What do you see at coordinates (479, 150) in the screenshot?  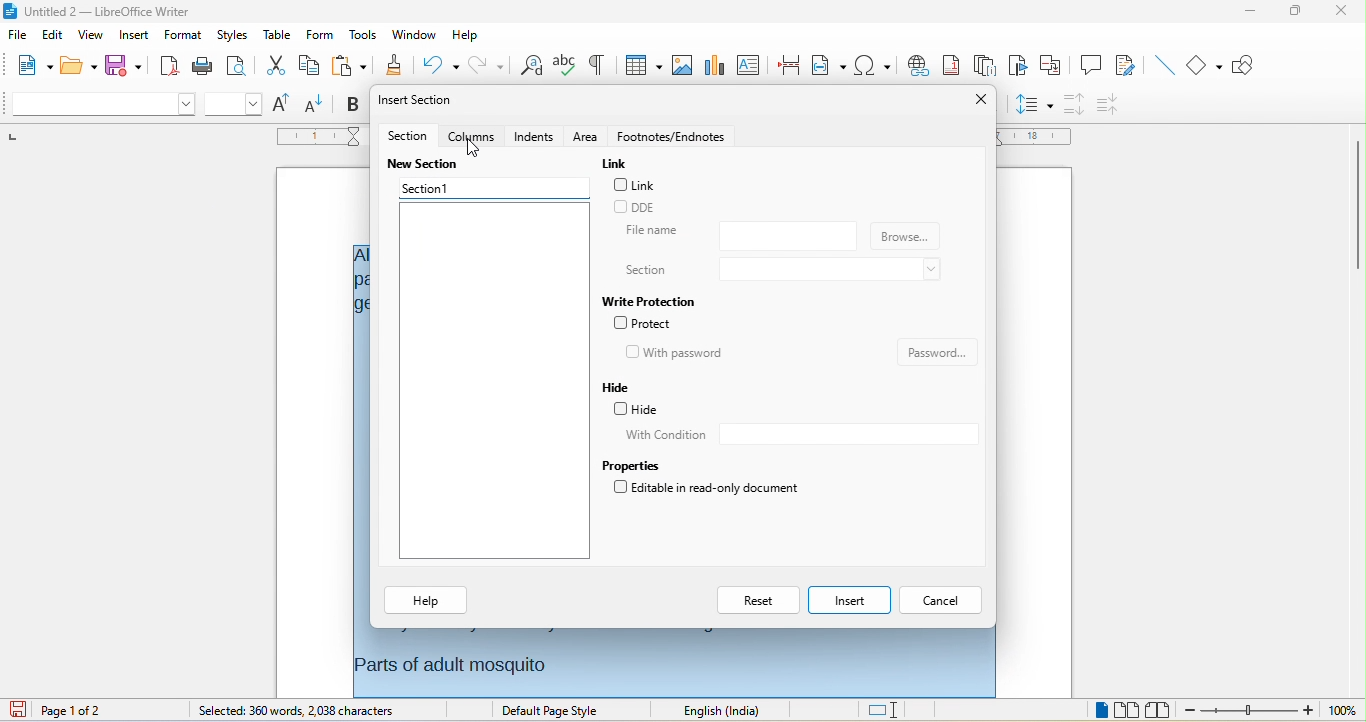 I see `cursor movement ` at bounding box center [479, 150].